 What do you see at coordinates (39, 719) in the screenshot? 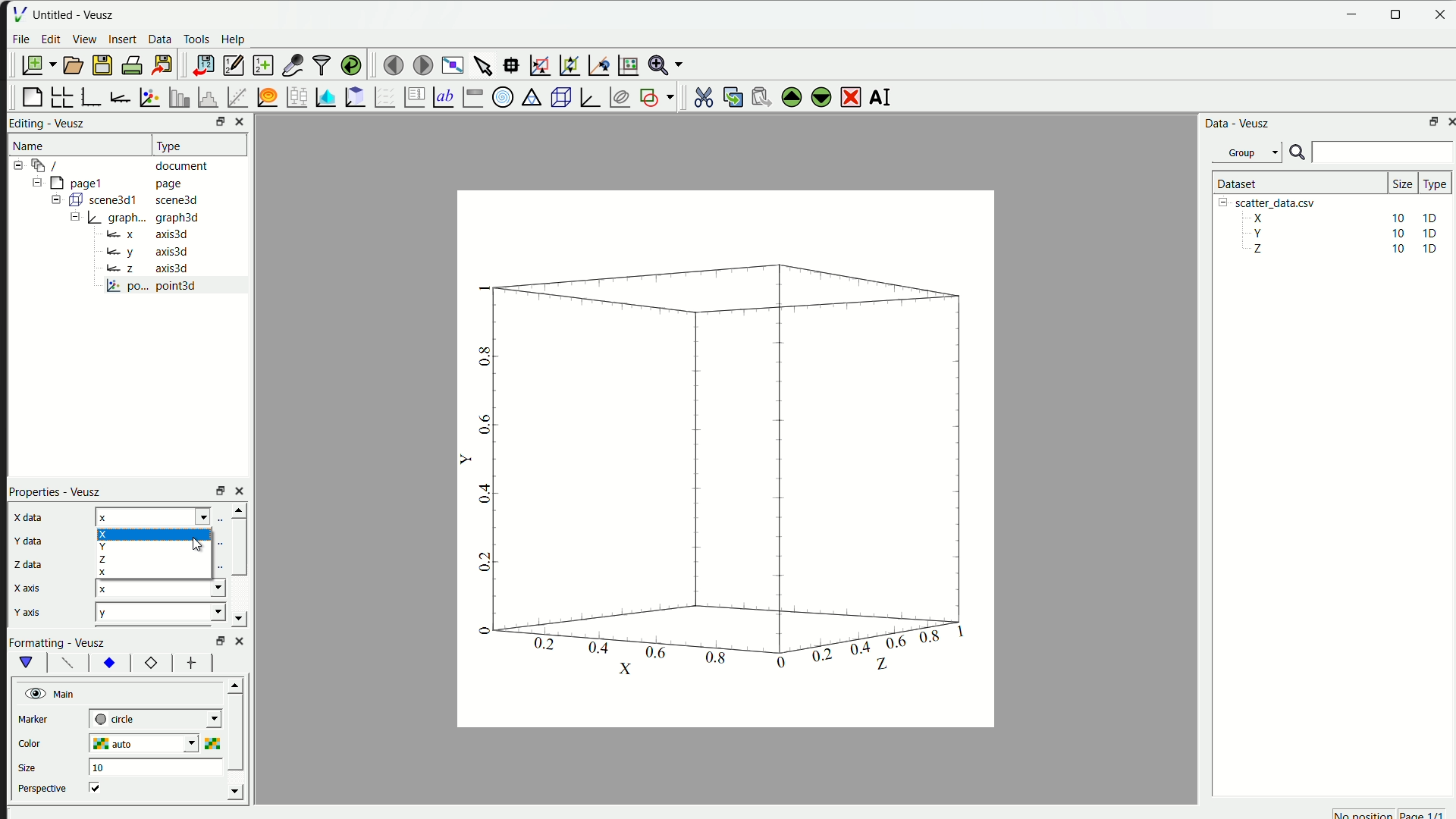
I see `marker` at bounding box center [39, 719].